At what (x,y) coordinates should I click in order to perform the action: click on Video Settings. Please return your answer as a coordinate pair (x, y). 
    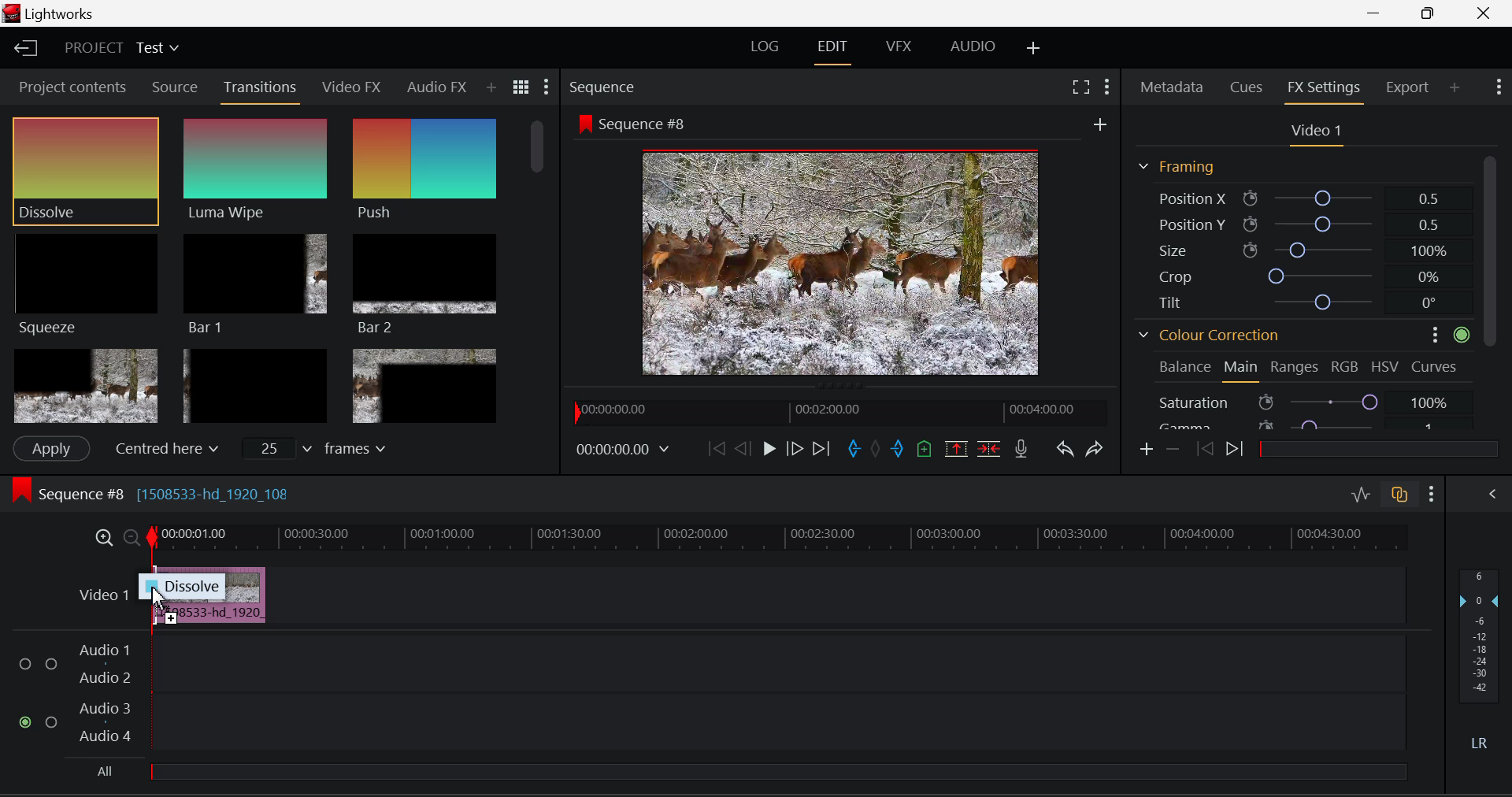
    Looking at the image, I should click on (1314, 132).